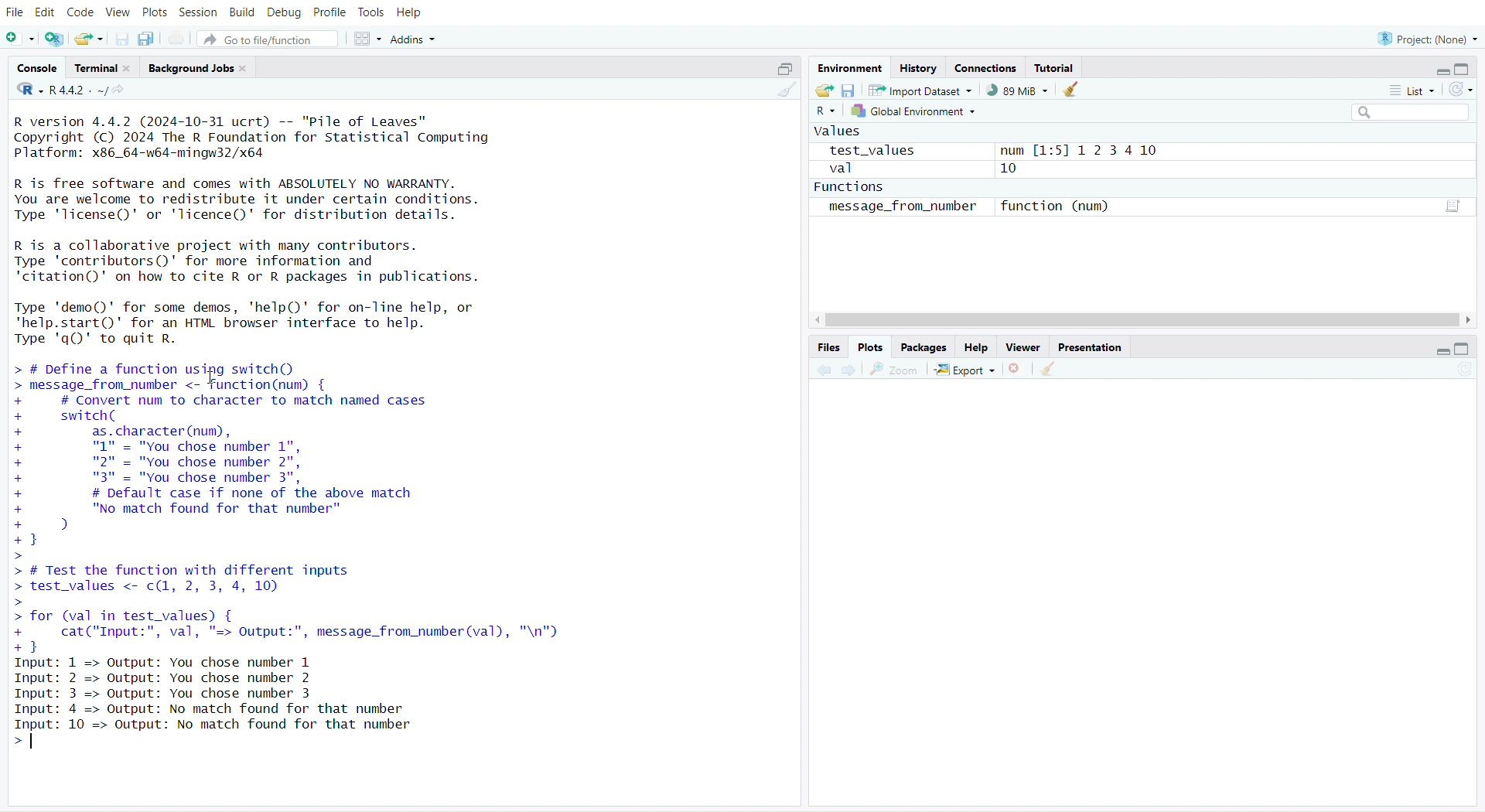  What do you see at coordinates (850, 92) in the screenshot?
I see `Save workspace as` at bounding box center [850, 92].